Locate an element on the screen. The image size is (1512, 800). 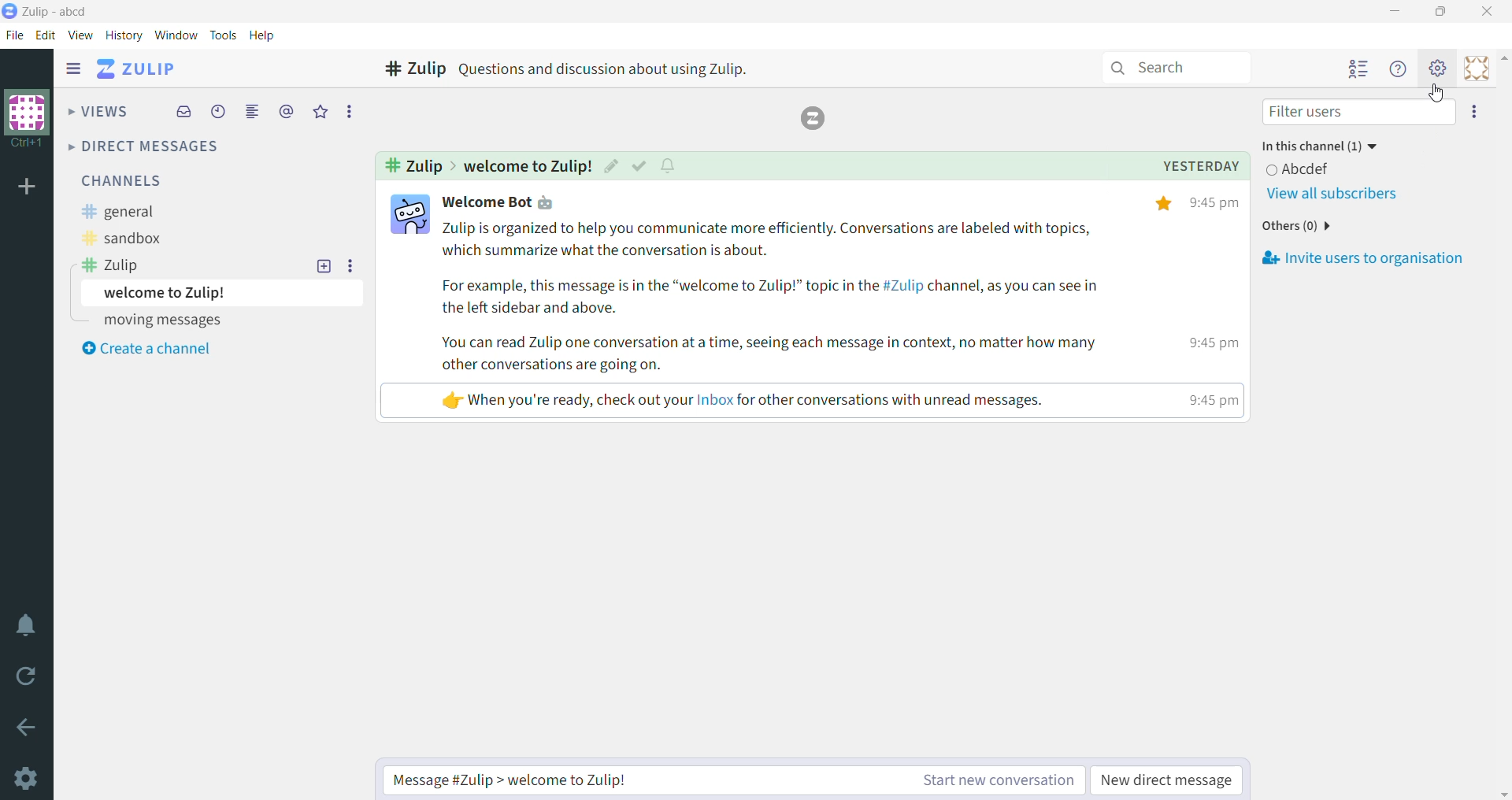
Channel - Zulip is located at coordinates (409, 70).